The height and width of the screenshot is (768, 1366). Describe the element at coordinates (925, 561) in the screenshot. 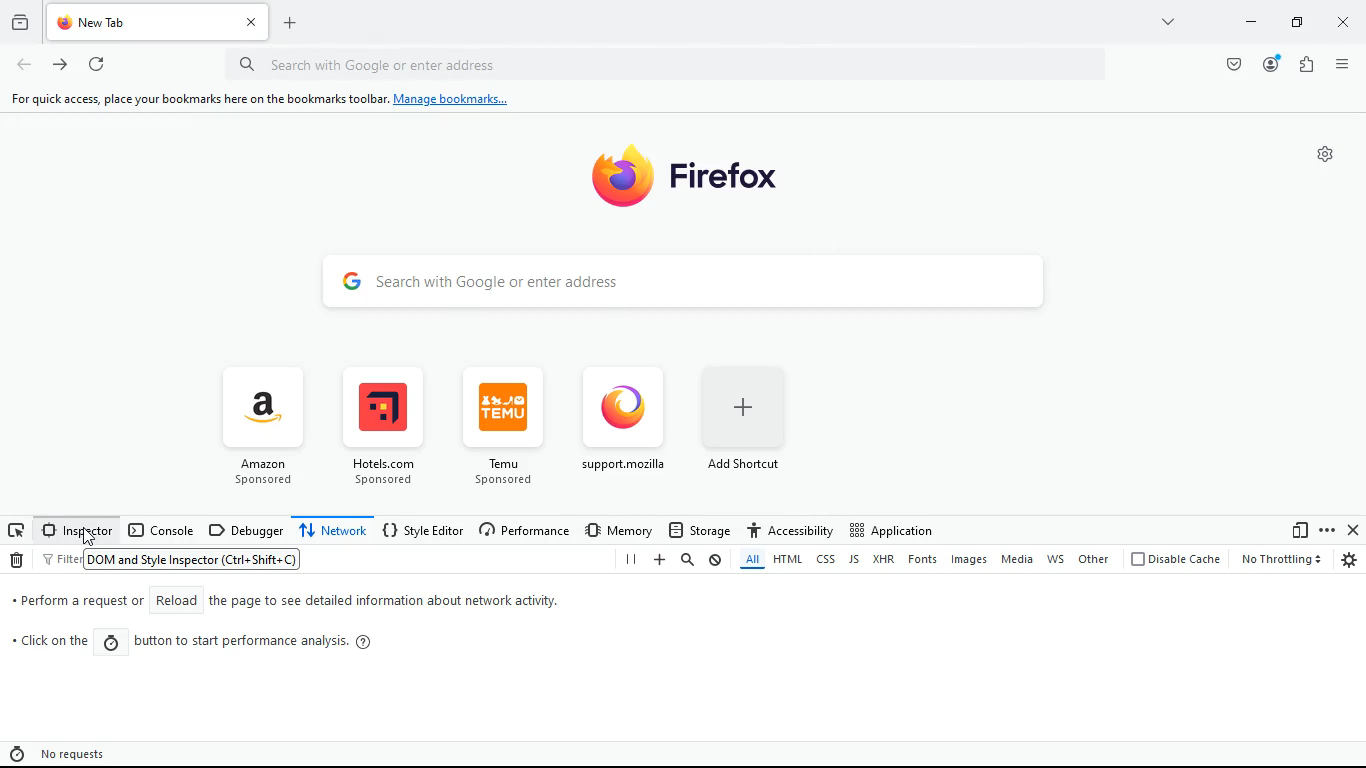

I see `fonts` at that location.